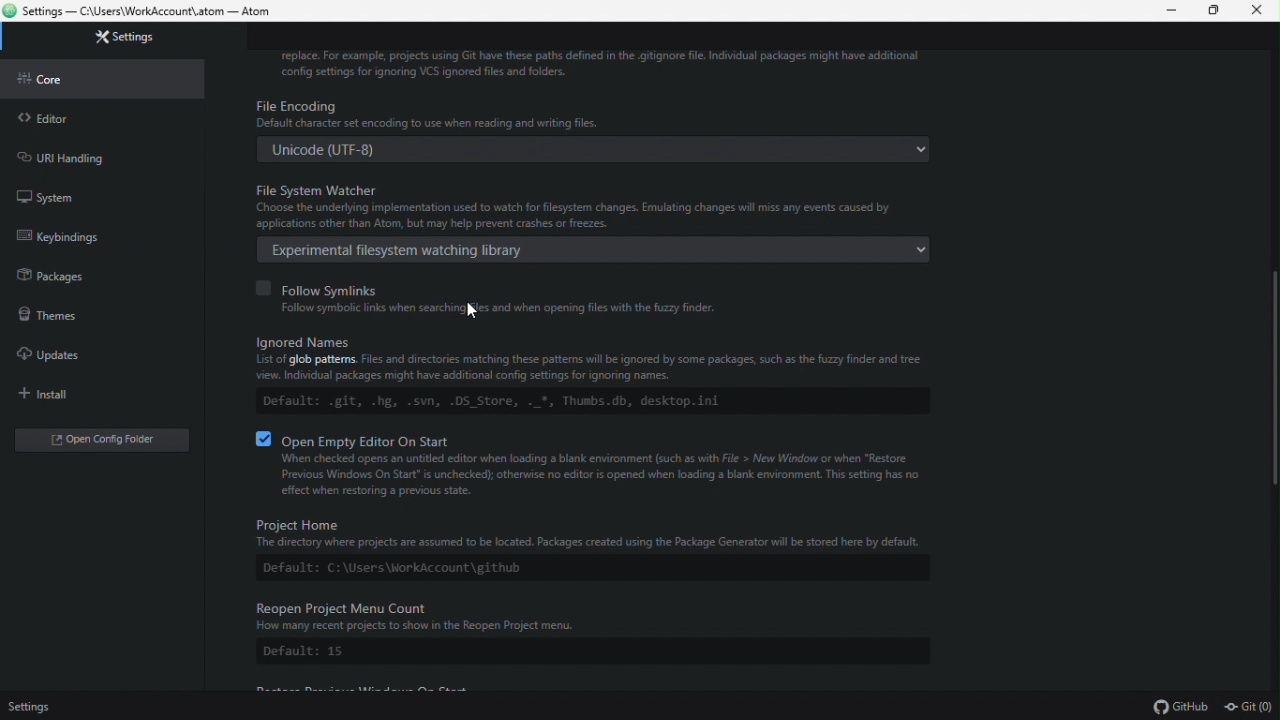 Image resolution: width=1280 pixels, height=720 pixels. Describe the element at coordinates (92, 439) in the screenshot. I see `Open folder` at that location.